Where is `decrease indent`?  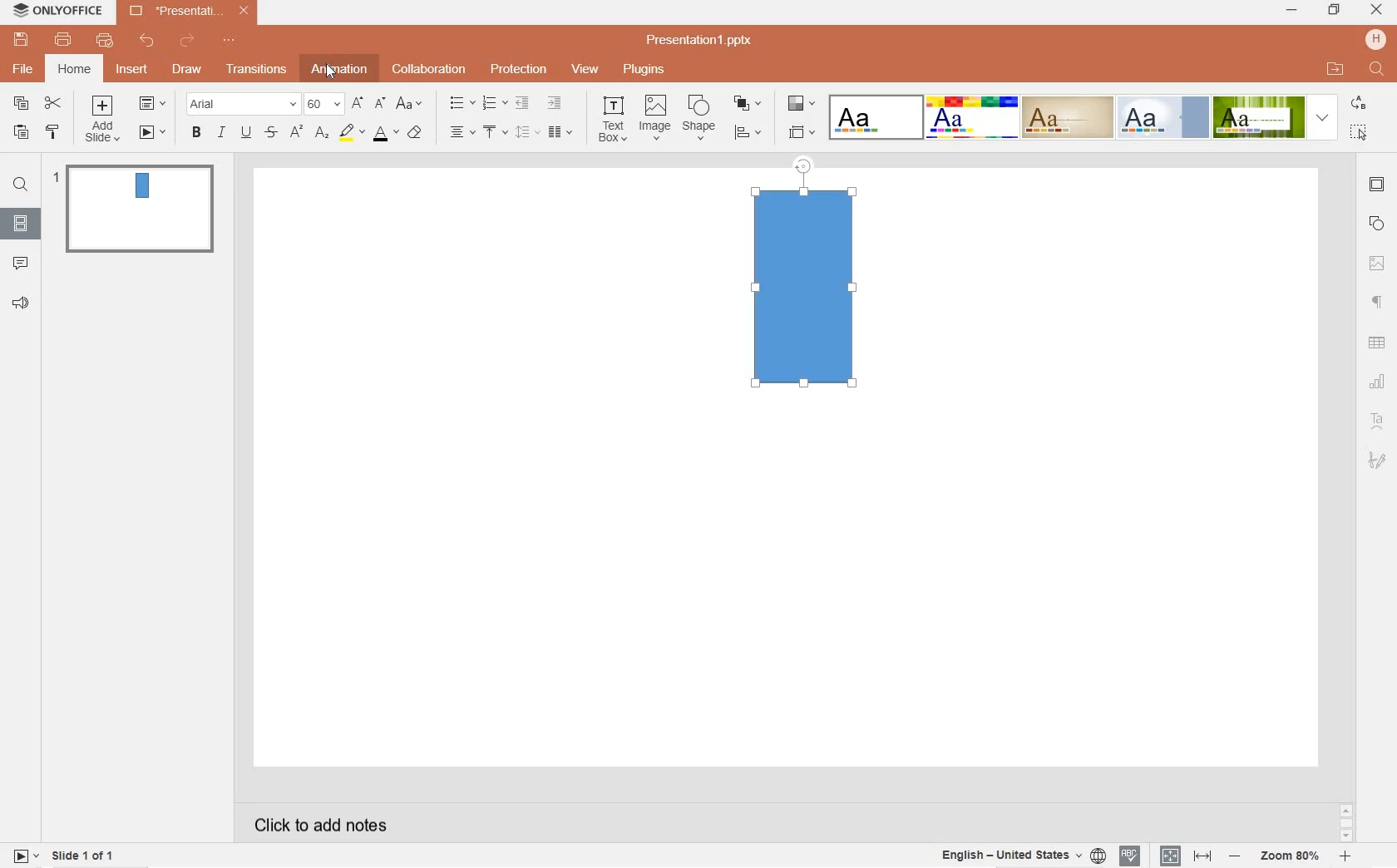
decrease indent is located at coordinates (521, 104).